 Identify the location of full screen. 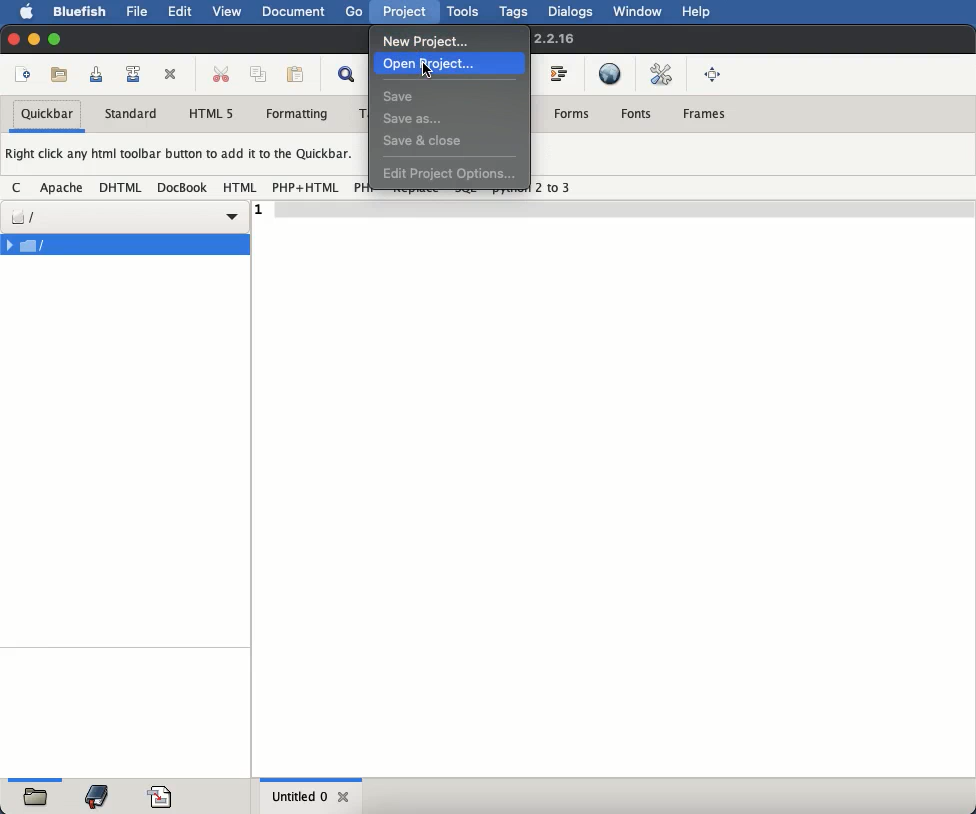
(714, 73).